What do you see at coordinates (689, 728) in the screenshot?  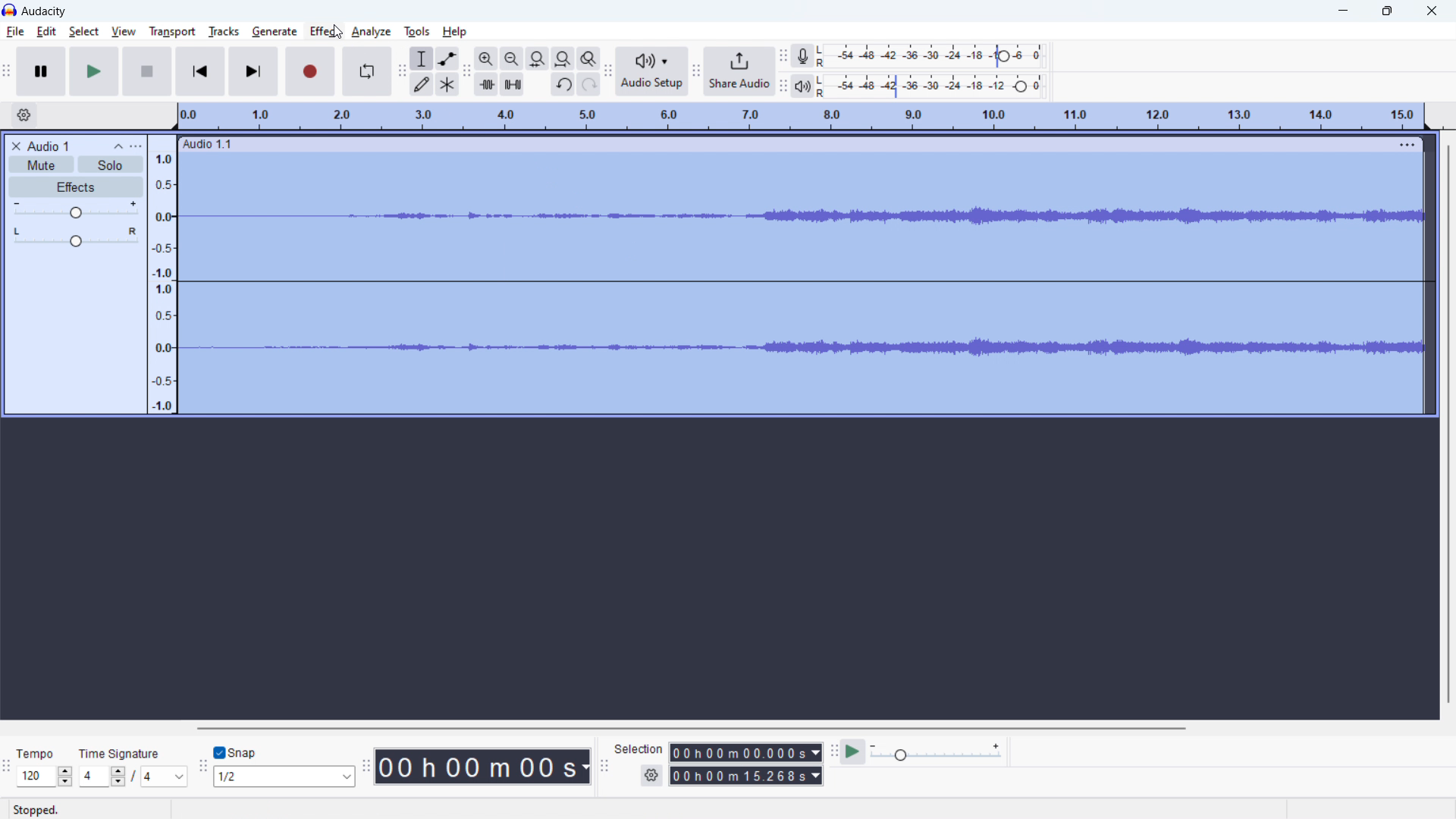 I see `horizontal scrollbar` at bounding box center [689, 728].